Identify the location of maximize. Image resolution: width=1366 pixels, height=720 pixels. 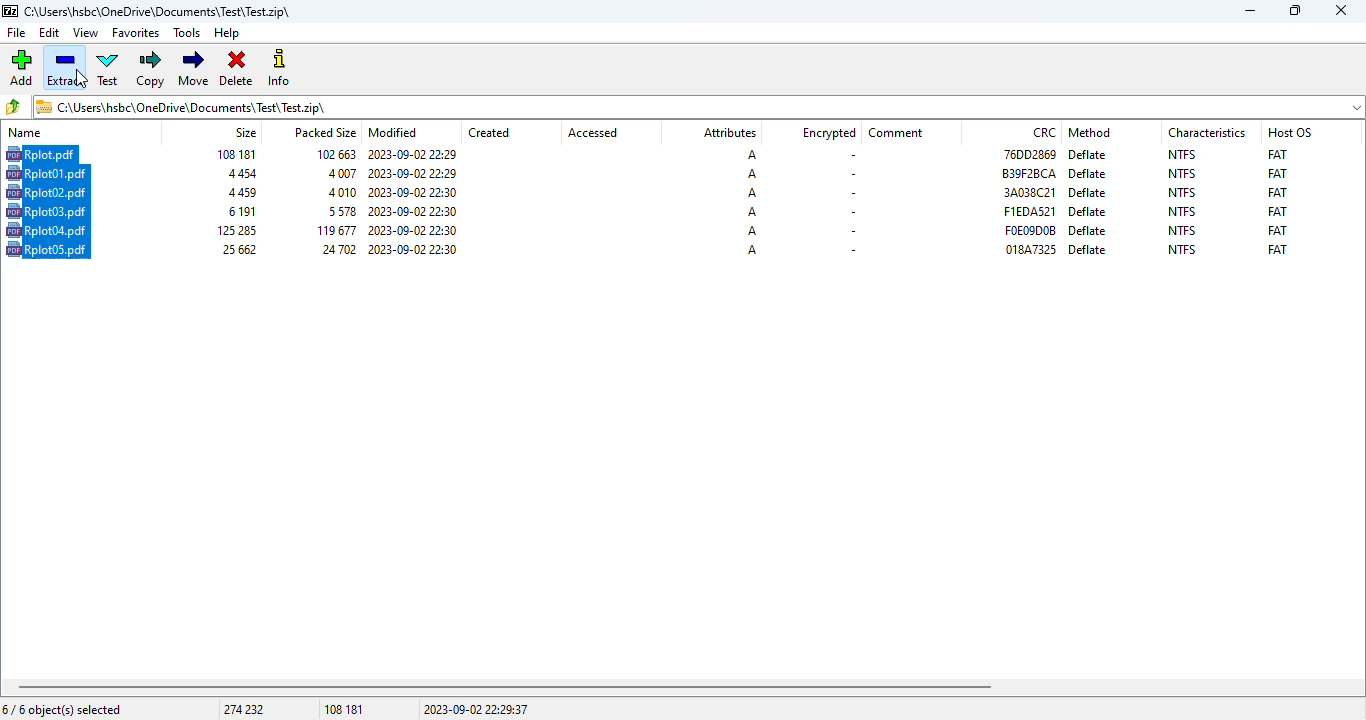
(1295, 11).